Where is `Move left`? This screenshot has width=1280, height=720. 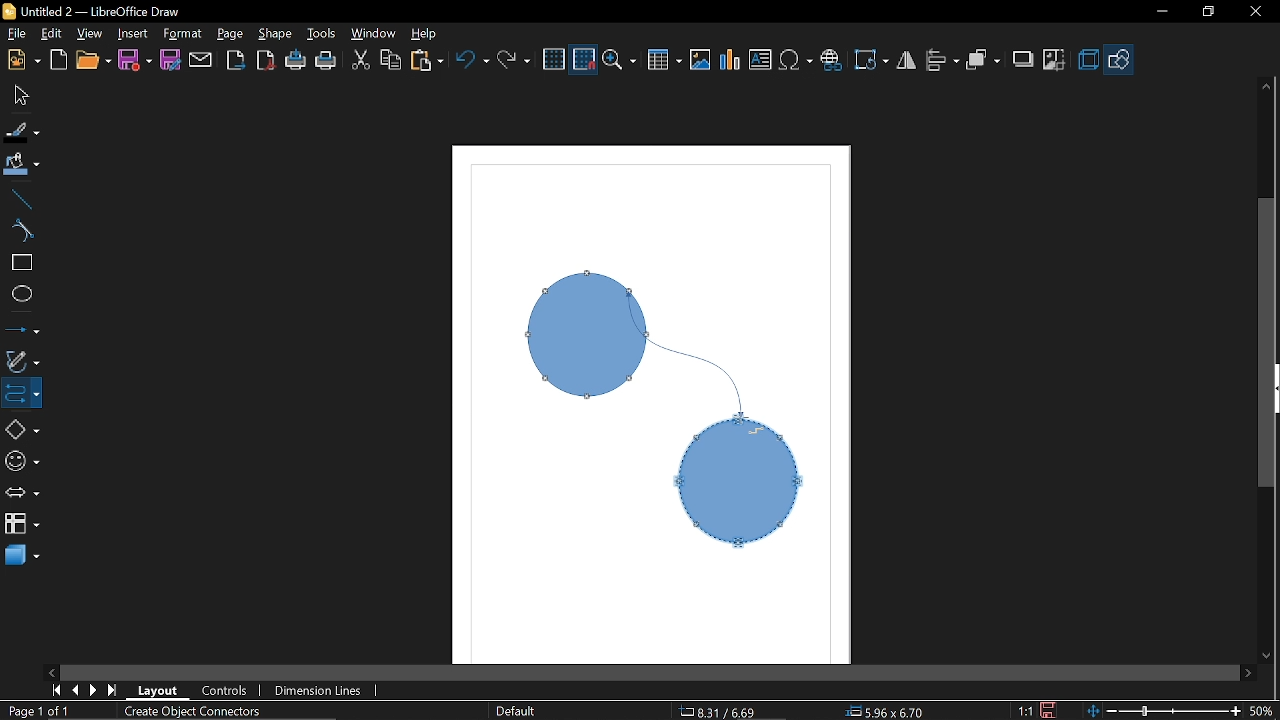 Move left is located at coordinates (51, 672).